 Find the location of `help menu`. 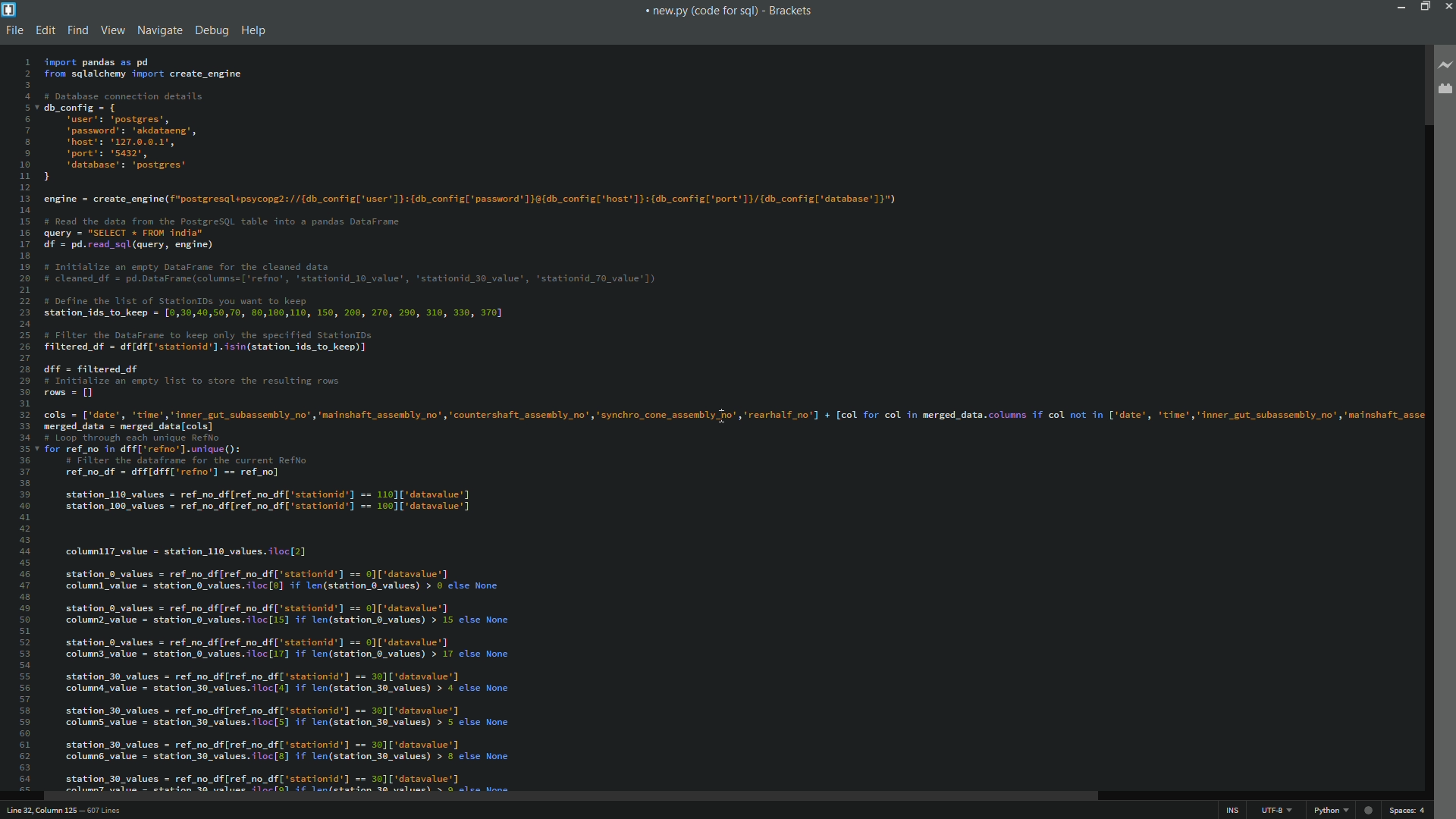

help menu is located at coordinates (256, 32).